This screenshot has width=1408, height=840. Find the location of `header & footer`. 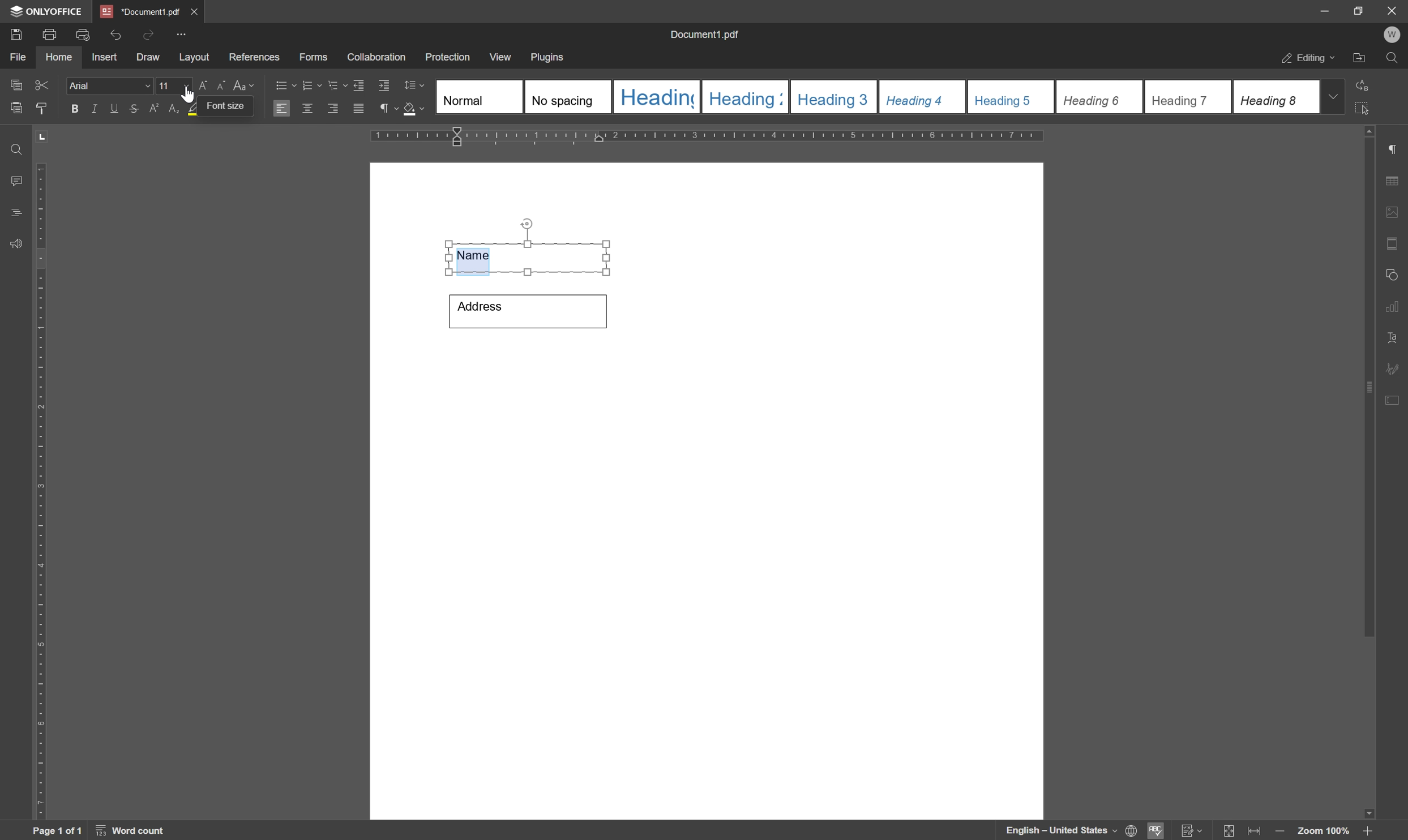

header & footer is located at coordinates (1394, 245).